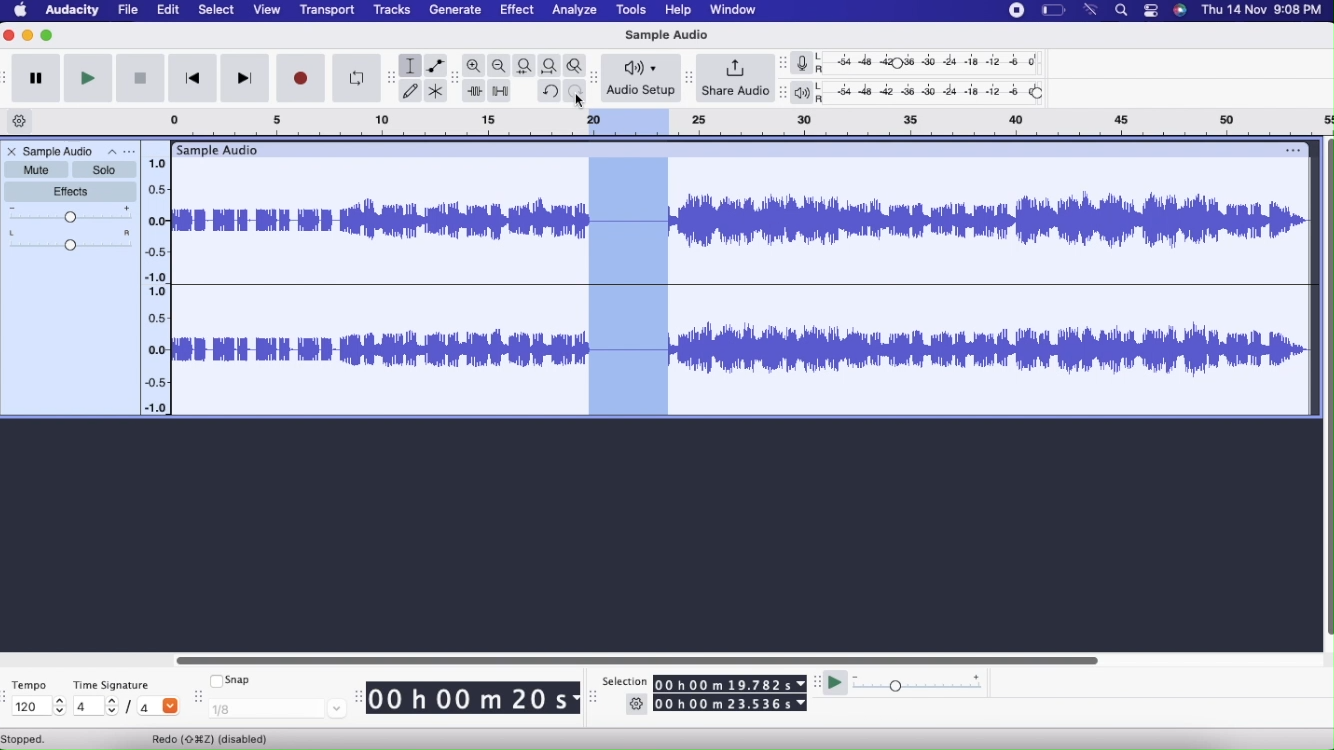  What do you see at coordinates (499, 65) in the screenshot?
I see `Zoom Out` at bounding box center [499, 65].